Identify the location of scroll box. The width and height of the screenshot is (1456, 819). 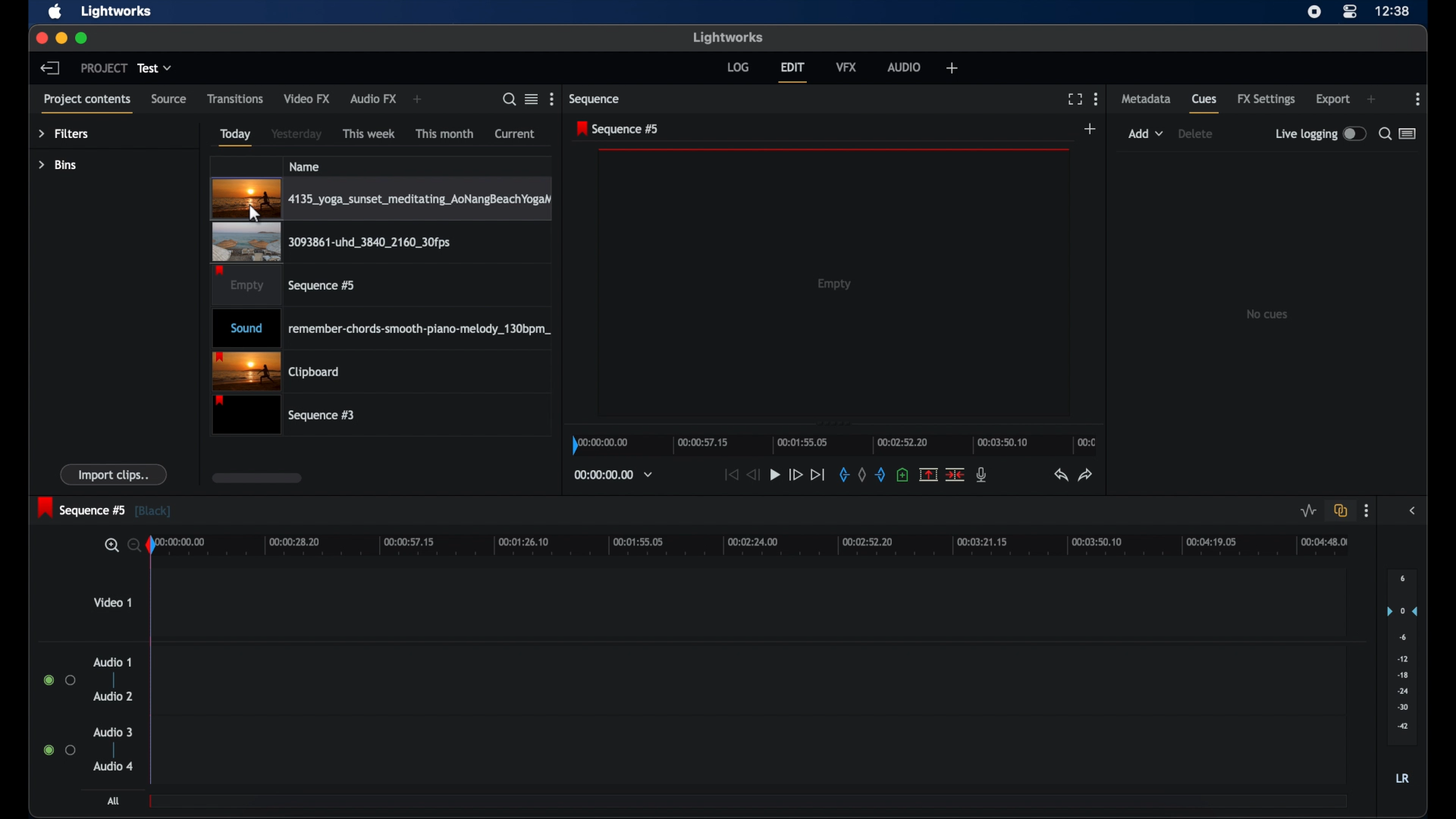
(256, 477).